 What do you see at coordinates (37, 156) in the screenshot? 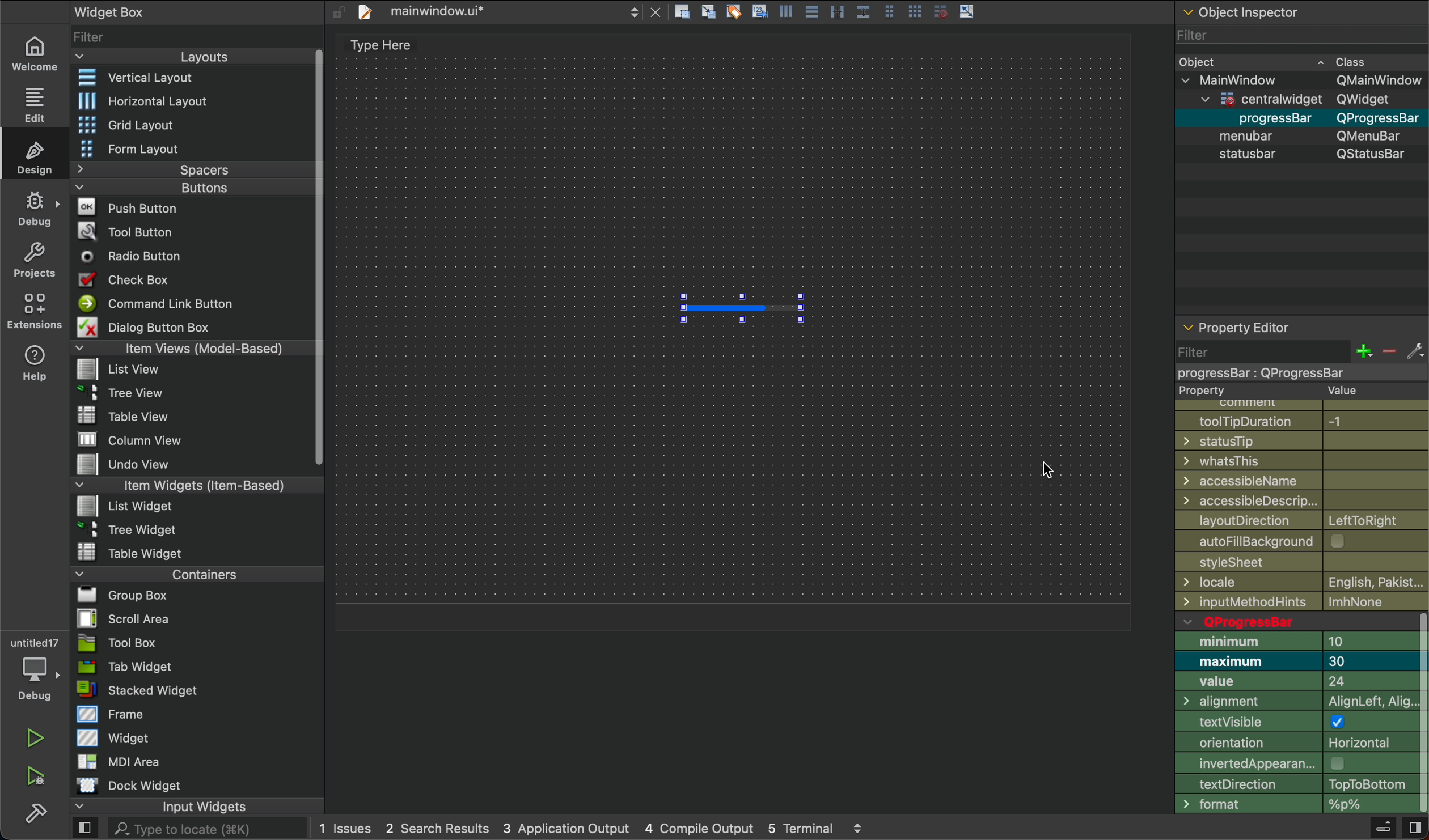
I see `design` at bounding box center [37, 156].